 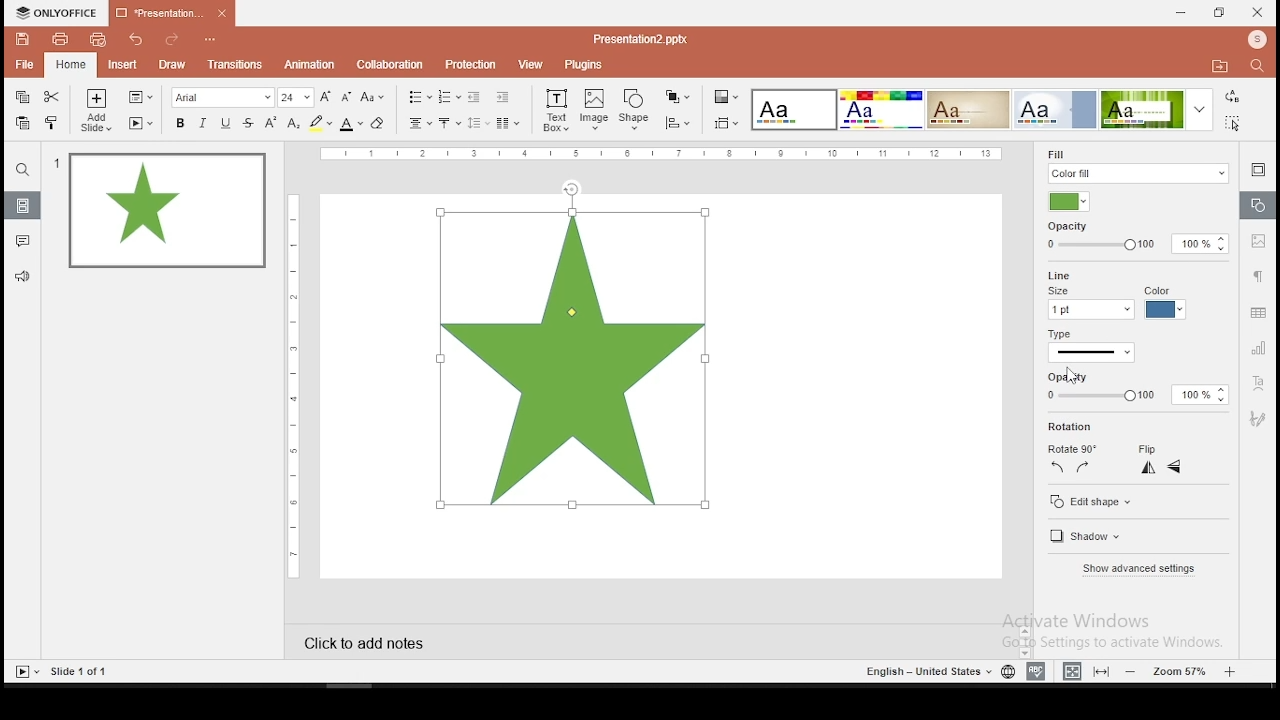 I want to click on decrease size, so click(x=347, y=97).